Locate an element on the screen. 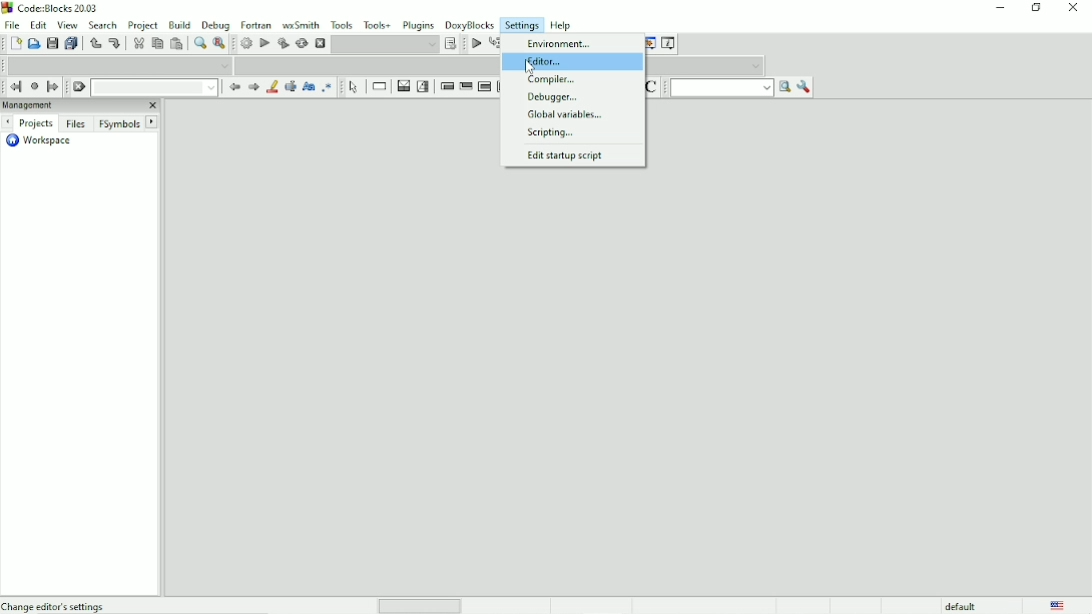 Image resolution: width=1092 pixels, height=614 pixels. Search is located at coordinates (104, 24).